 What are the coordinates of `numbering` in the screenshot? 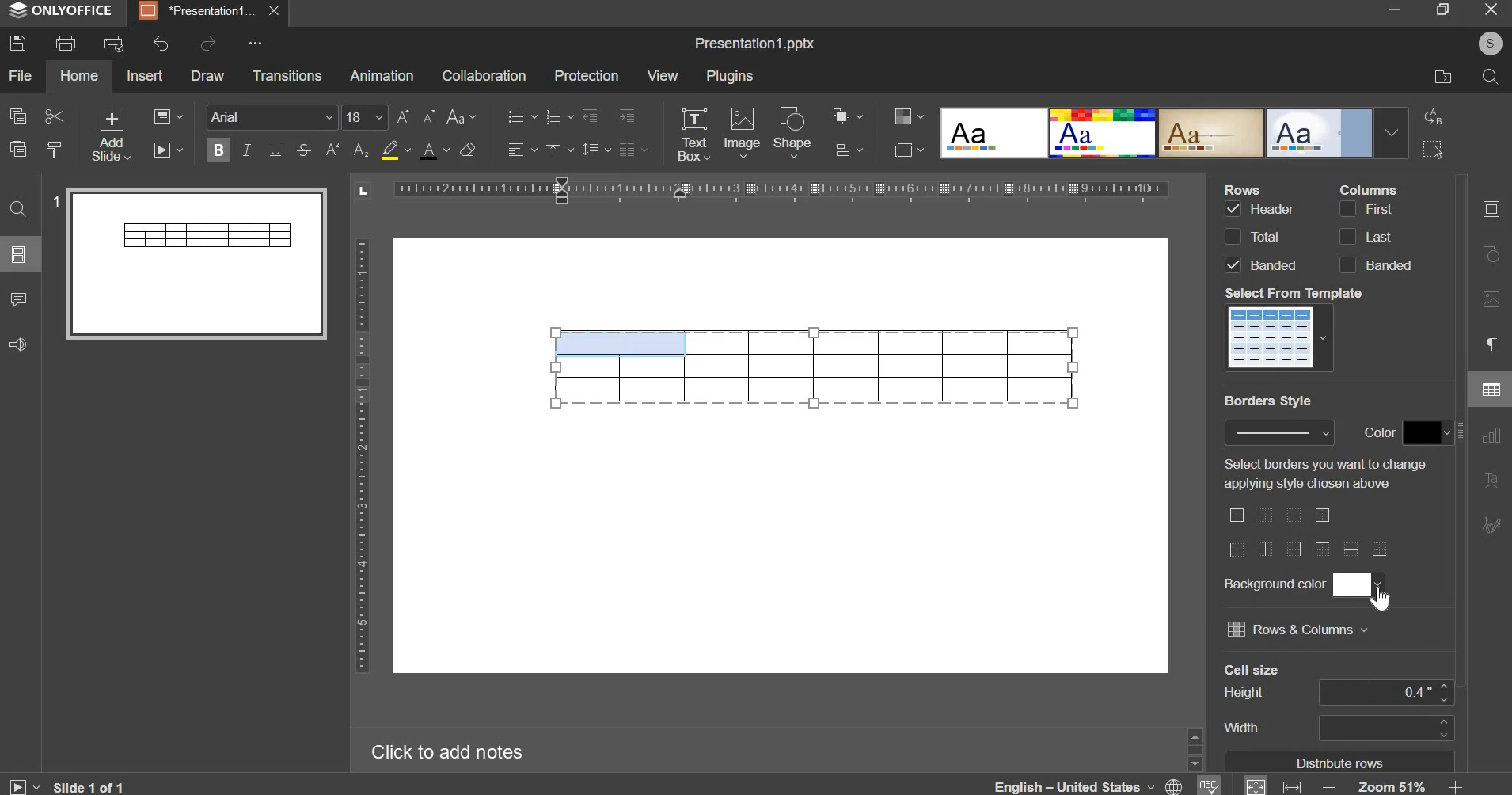 It's located at (557, 117).